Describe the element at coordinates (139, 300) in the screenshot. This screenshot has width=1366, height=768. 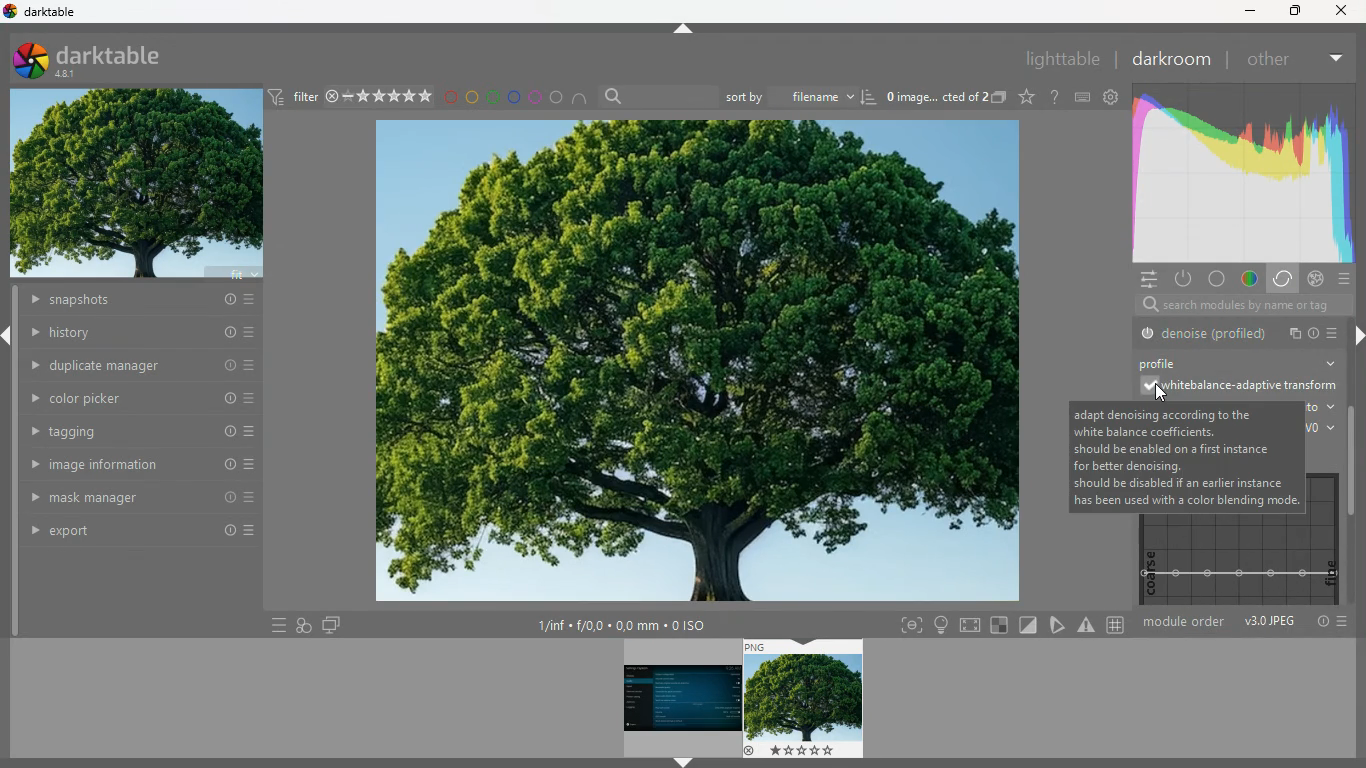
I see `snapshots` at that location.